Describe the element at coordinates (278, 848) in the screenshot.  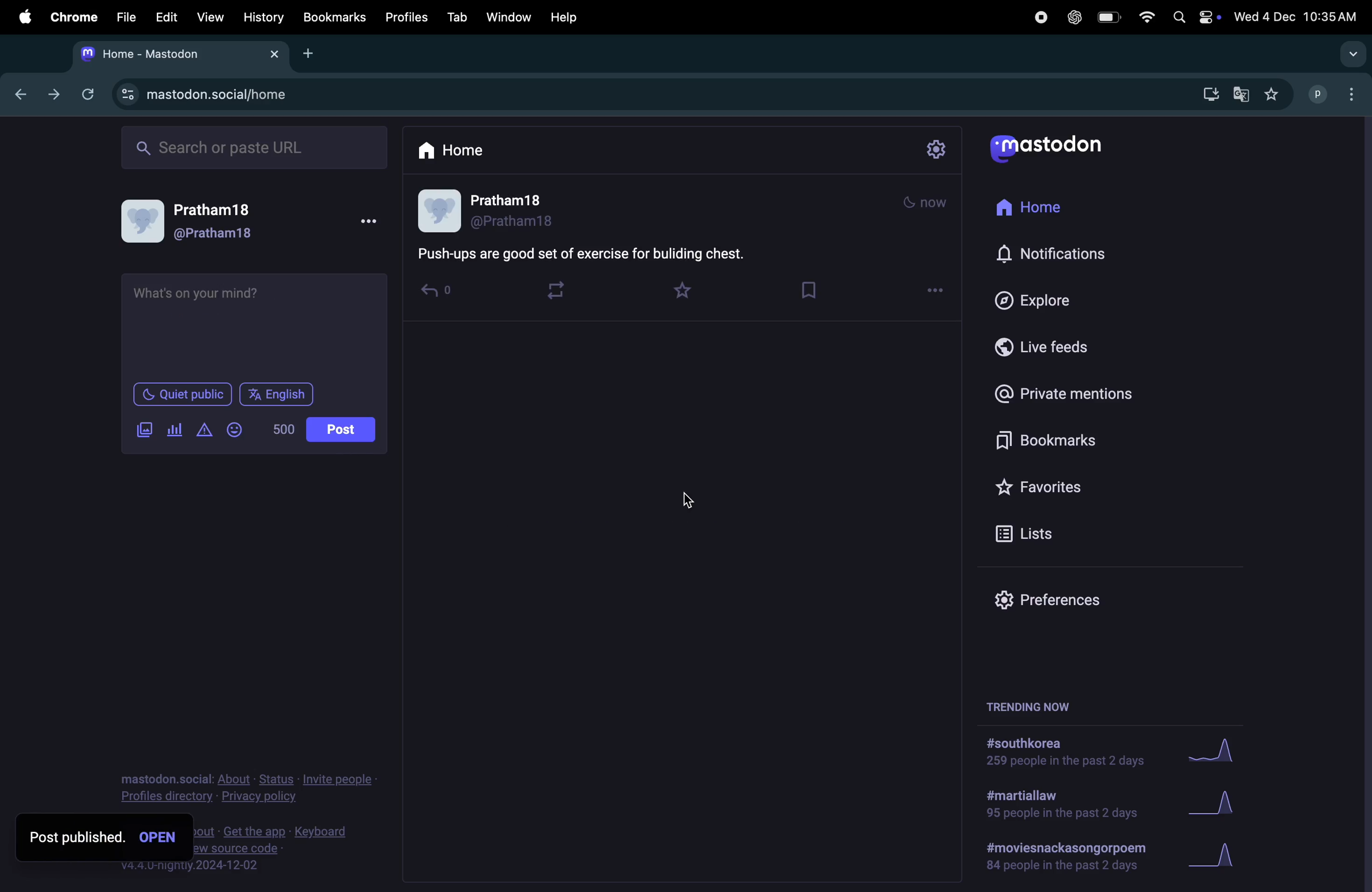
I see `source code description` at that location.